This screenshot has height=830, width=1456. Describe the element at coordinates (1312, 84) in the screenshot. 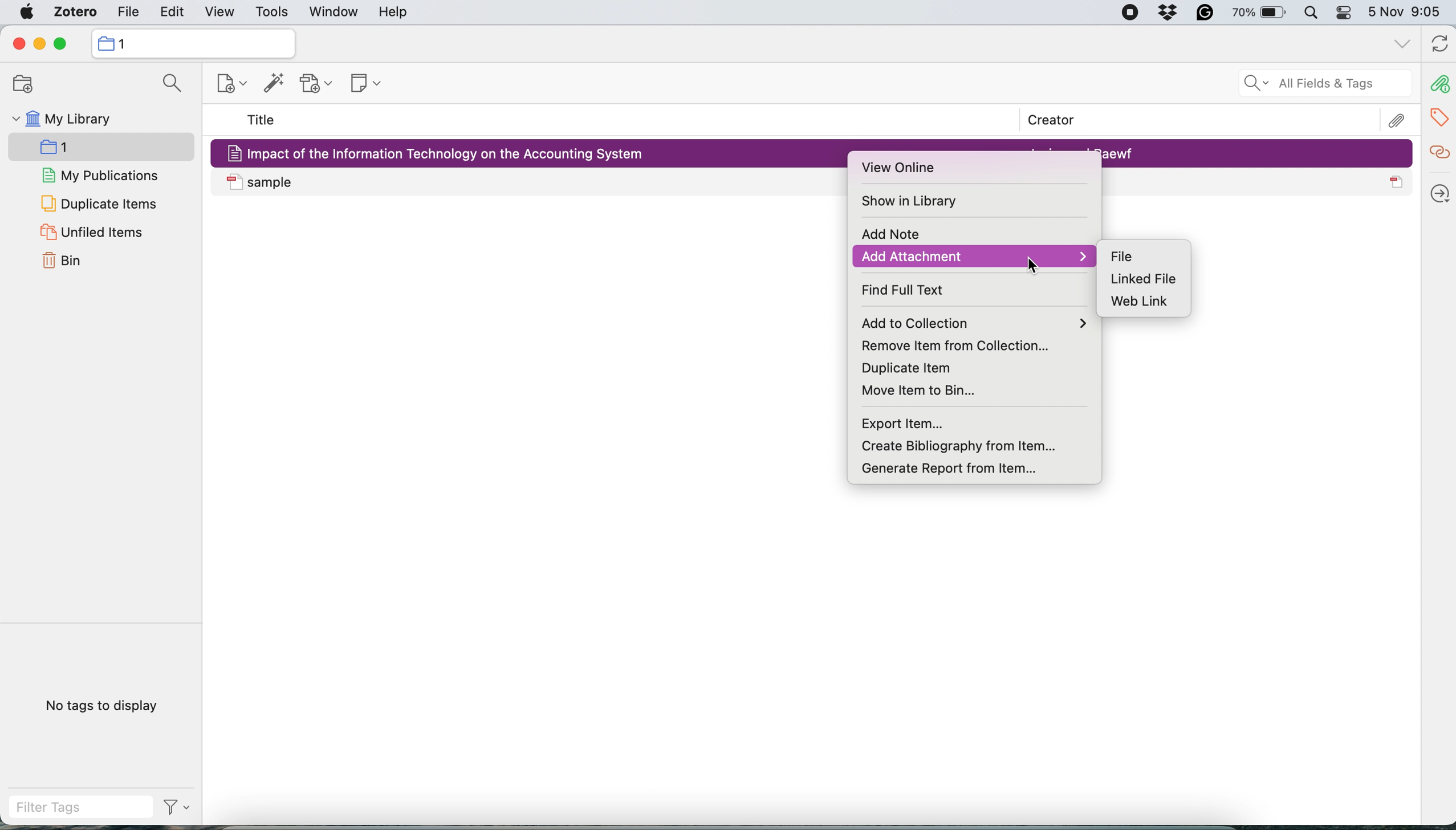

I see `all fields and tags` at that location.